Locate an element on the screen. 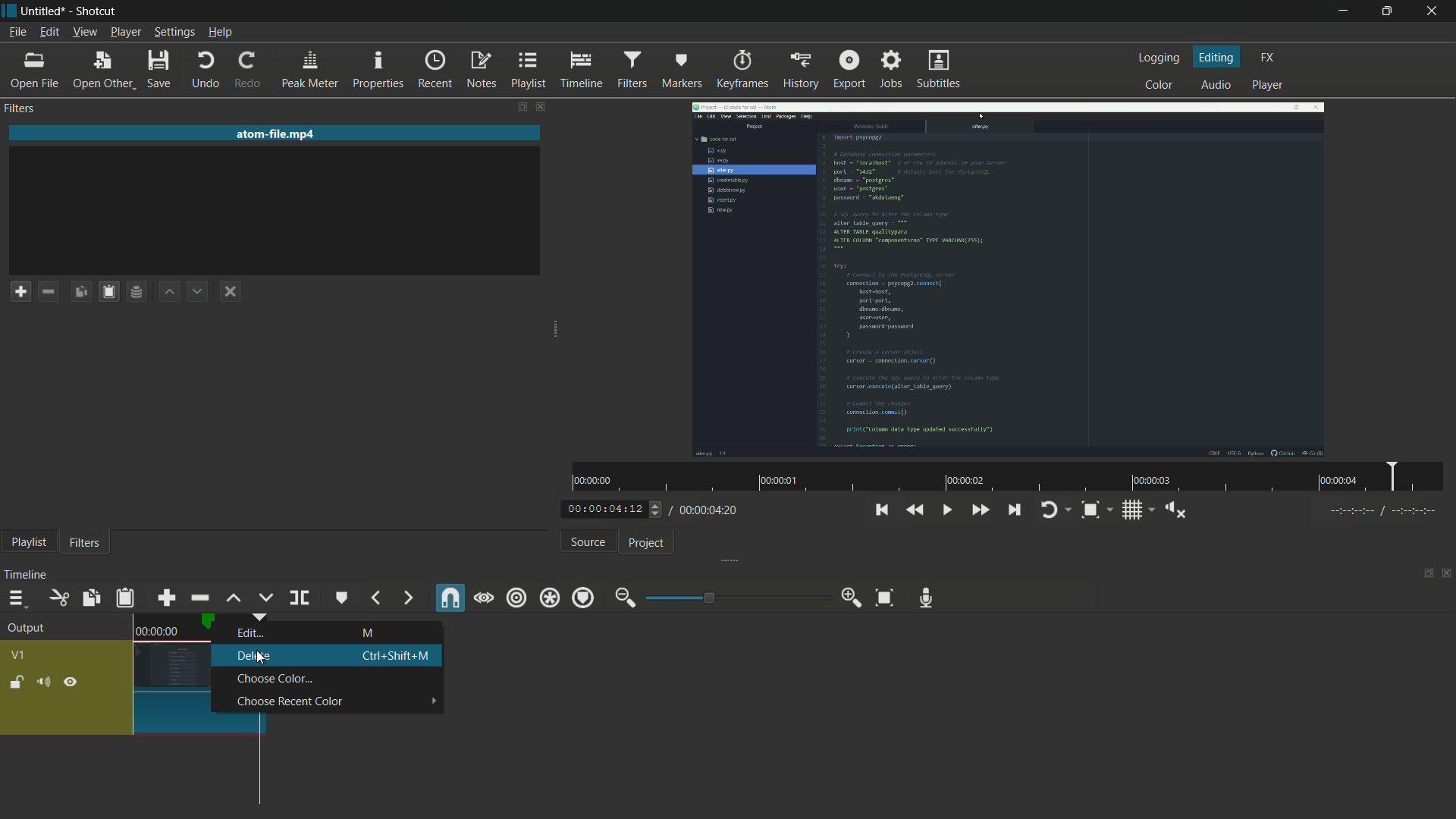 Image resolution: width=1456 pixels, height=819 pixels. zoom in is located at coordinates (852, 598).